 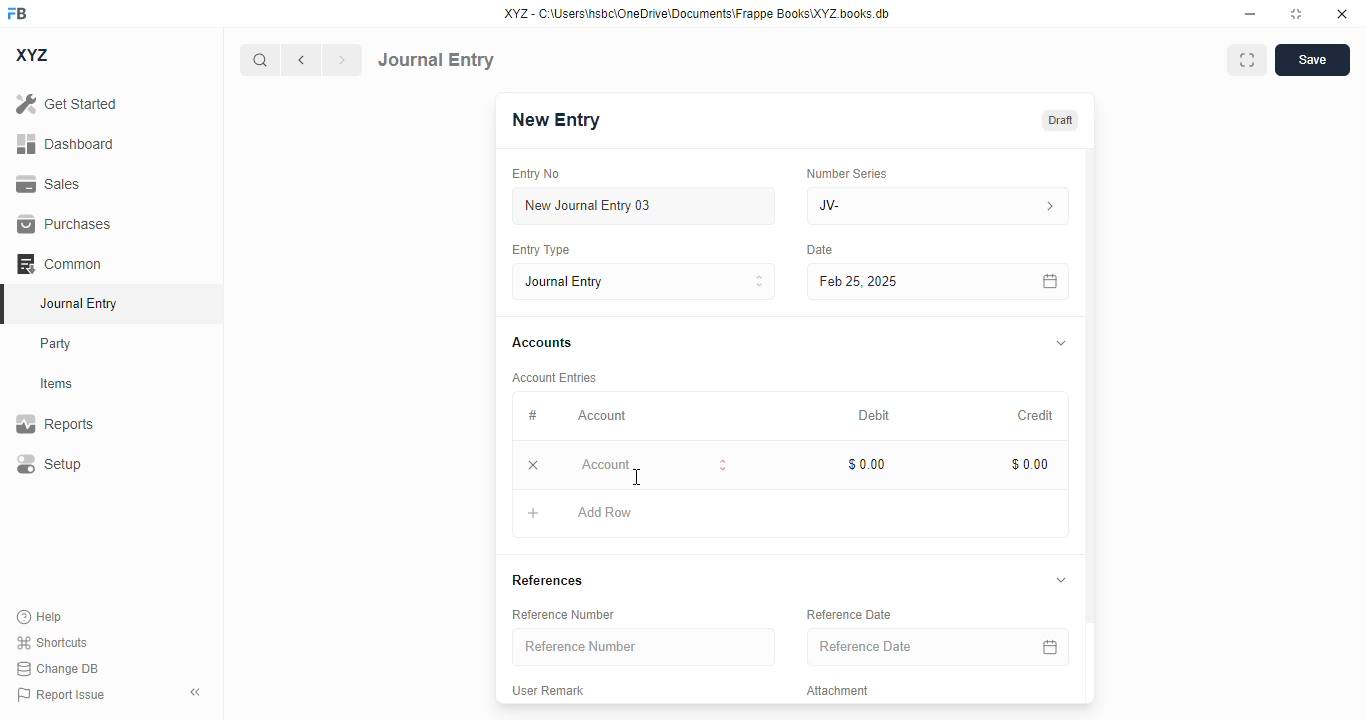 What do you see at coordinates (65, 224) in the screenshot?
I see `purchases` at bounding box center [65, 224].